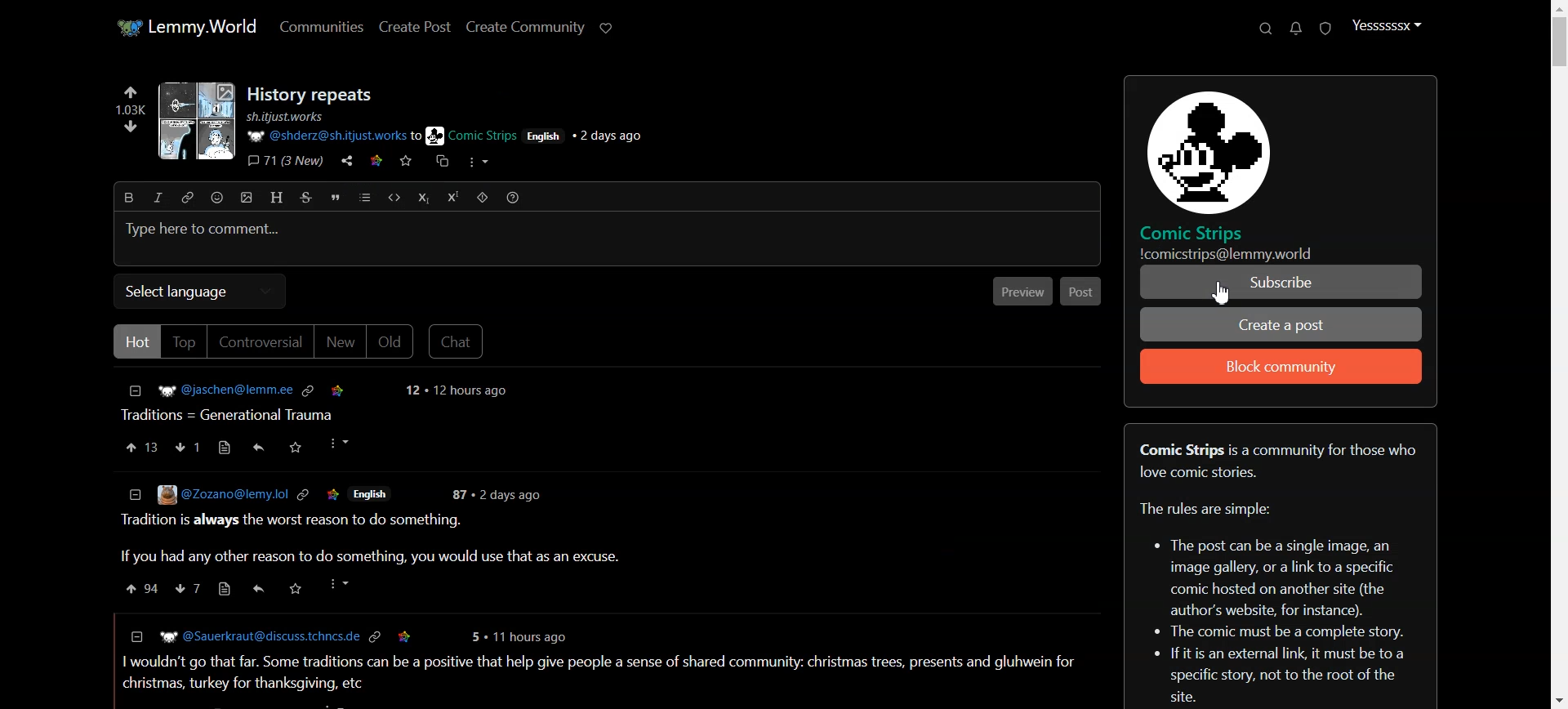  What do you see at coordinates (203, 589) in the screenshot?
I see `Comment` at bounding box center [203, 589].